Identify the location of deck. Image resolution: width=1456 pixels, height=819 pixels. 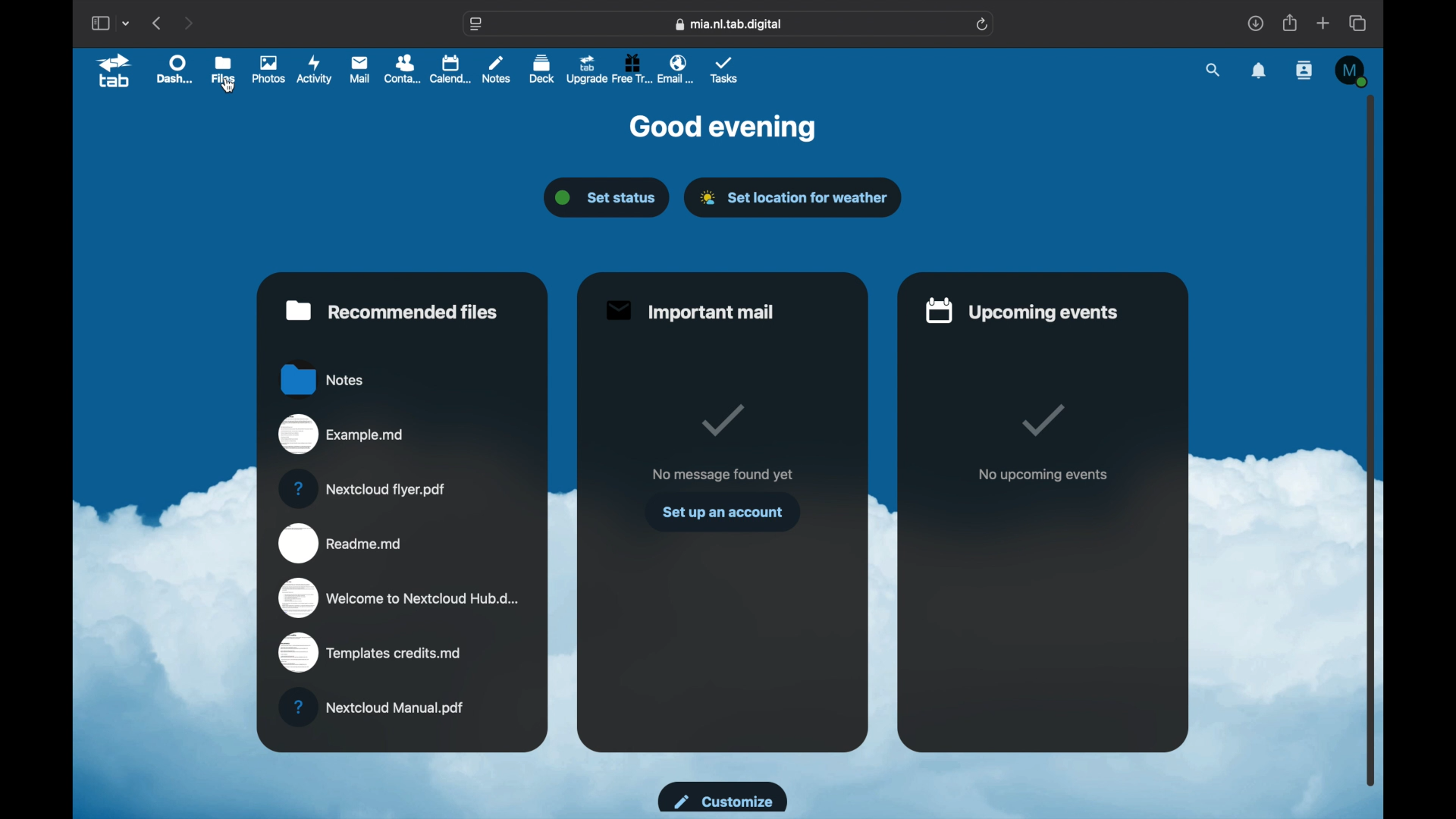
(542, 68).